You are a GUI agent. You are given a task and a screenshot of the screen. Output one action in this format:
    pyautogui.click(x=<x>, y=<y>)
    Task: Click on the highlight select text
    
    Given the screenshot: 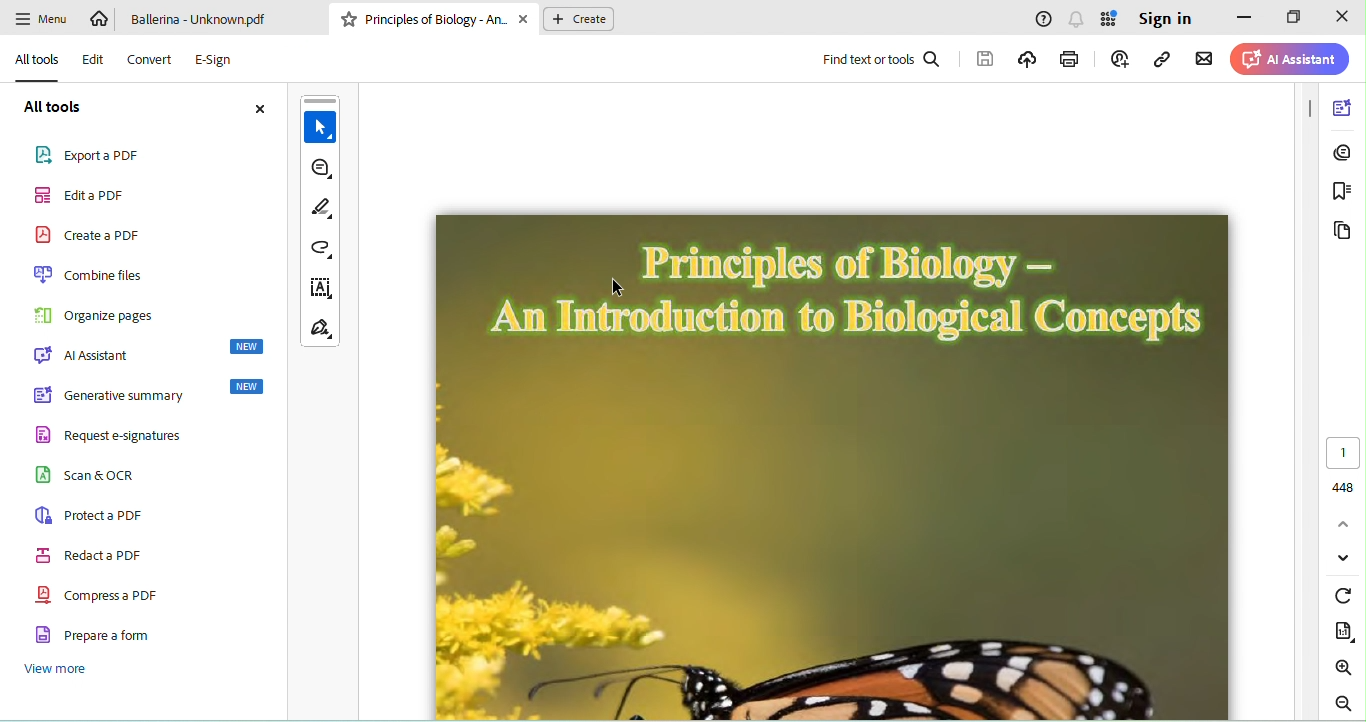 What is the action you would take?
    pyautogui.click(x=322, y=210)
    